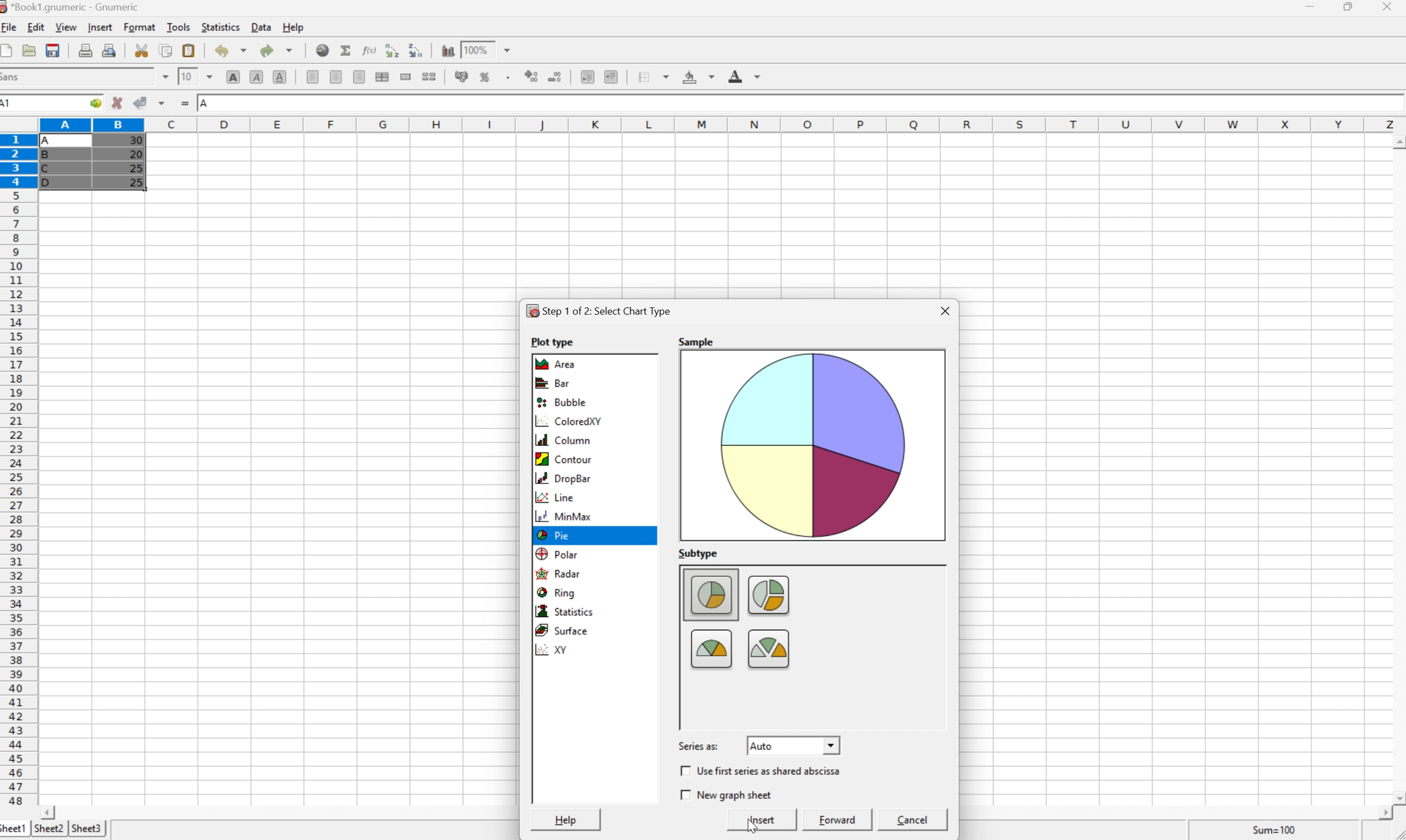  What do you see at coordinates (415, 49) in the screenshot?
I see `Sort the selected region in descending order based on the first column selected` at bounding box center [415, 49].